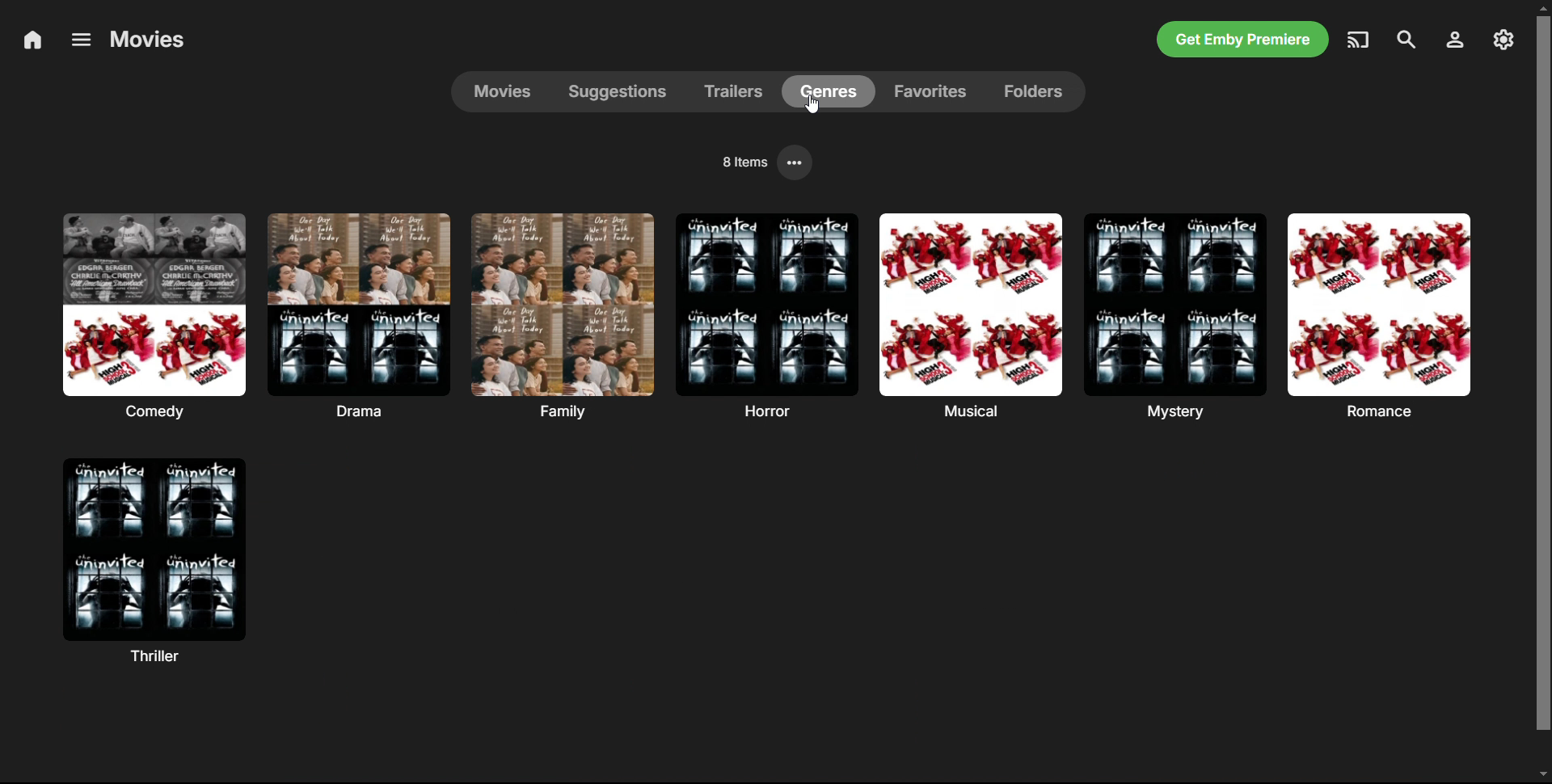 Image resolution: width=1552 pixels, height=784 pixels. Describe the element at coordinates (814, 107) in the screenshot. I see `cursor` at that location.